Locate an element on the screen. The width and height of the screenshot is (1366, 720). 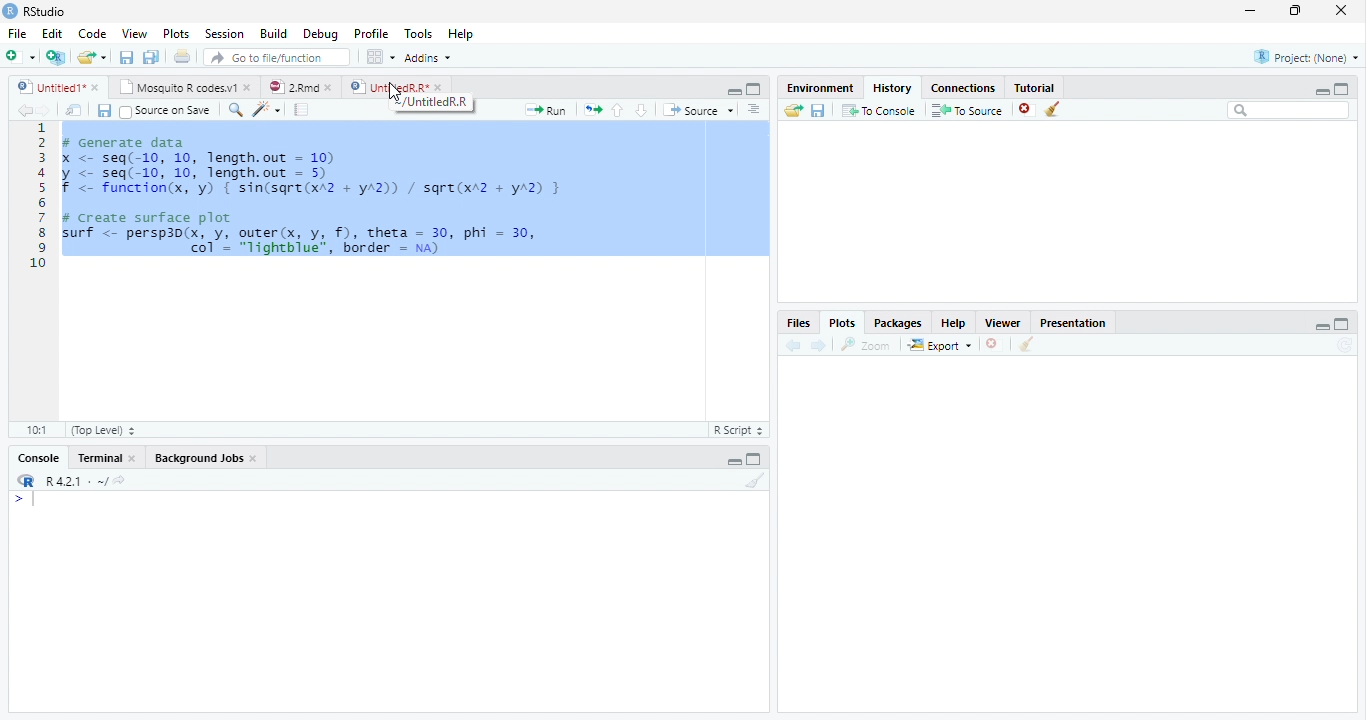
maximize is located at coordinates (1343, 324).